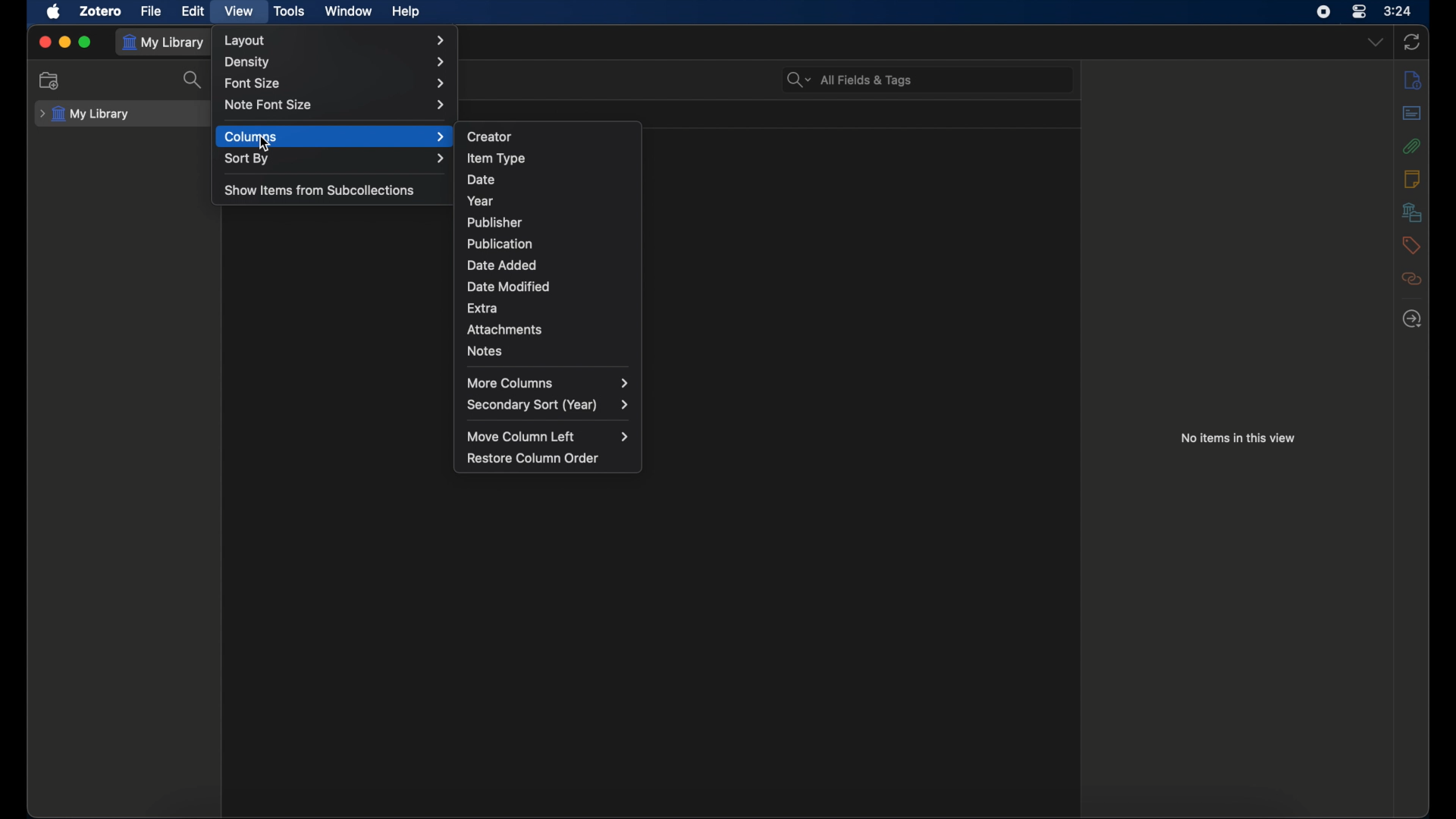  What do you see at coordinates (194, 80) in the screenshot?
I see `search` at bounding box center [194, 80].